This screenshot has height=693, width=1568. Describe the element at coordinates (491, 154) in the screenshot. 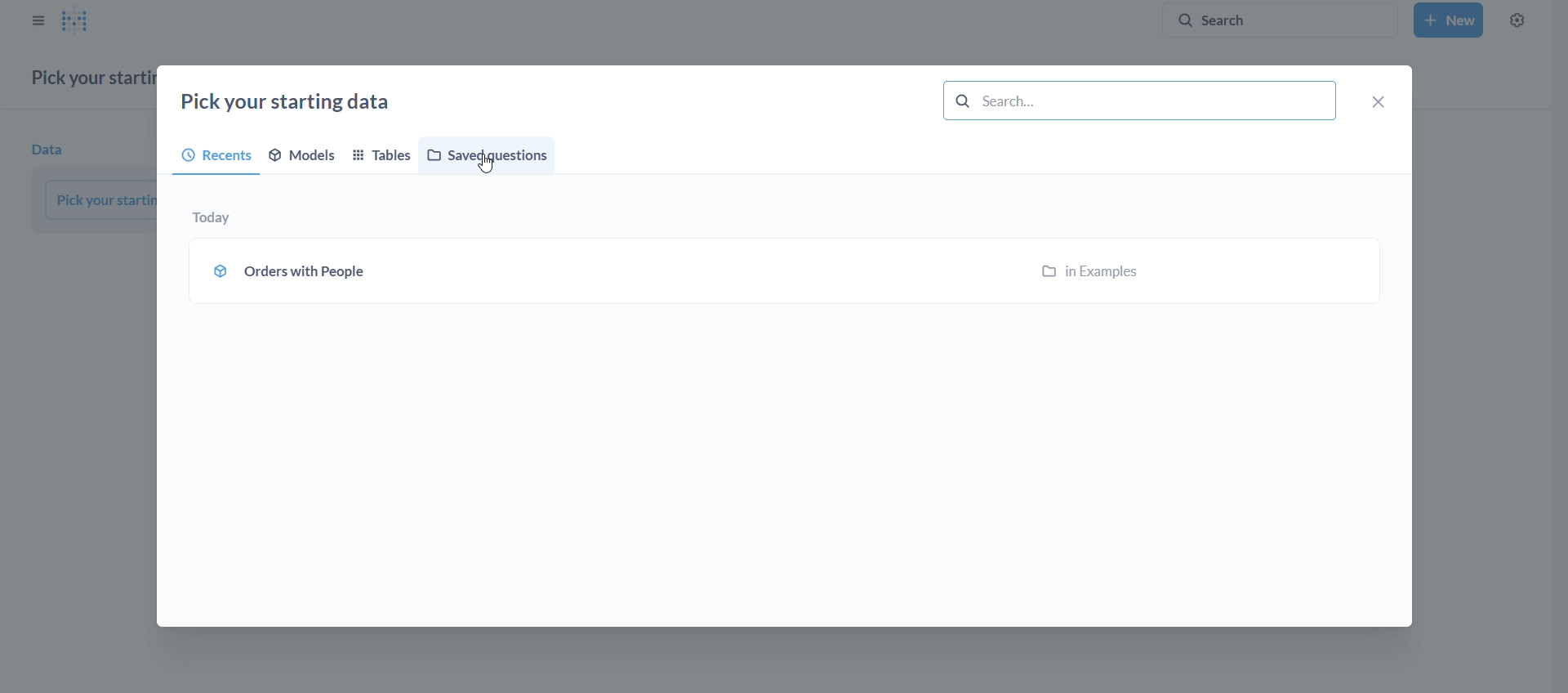

I see `saved questions` at that location.